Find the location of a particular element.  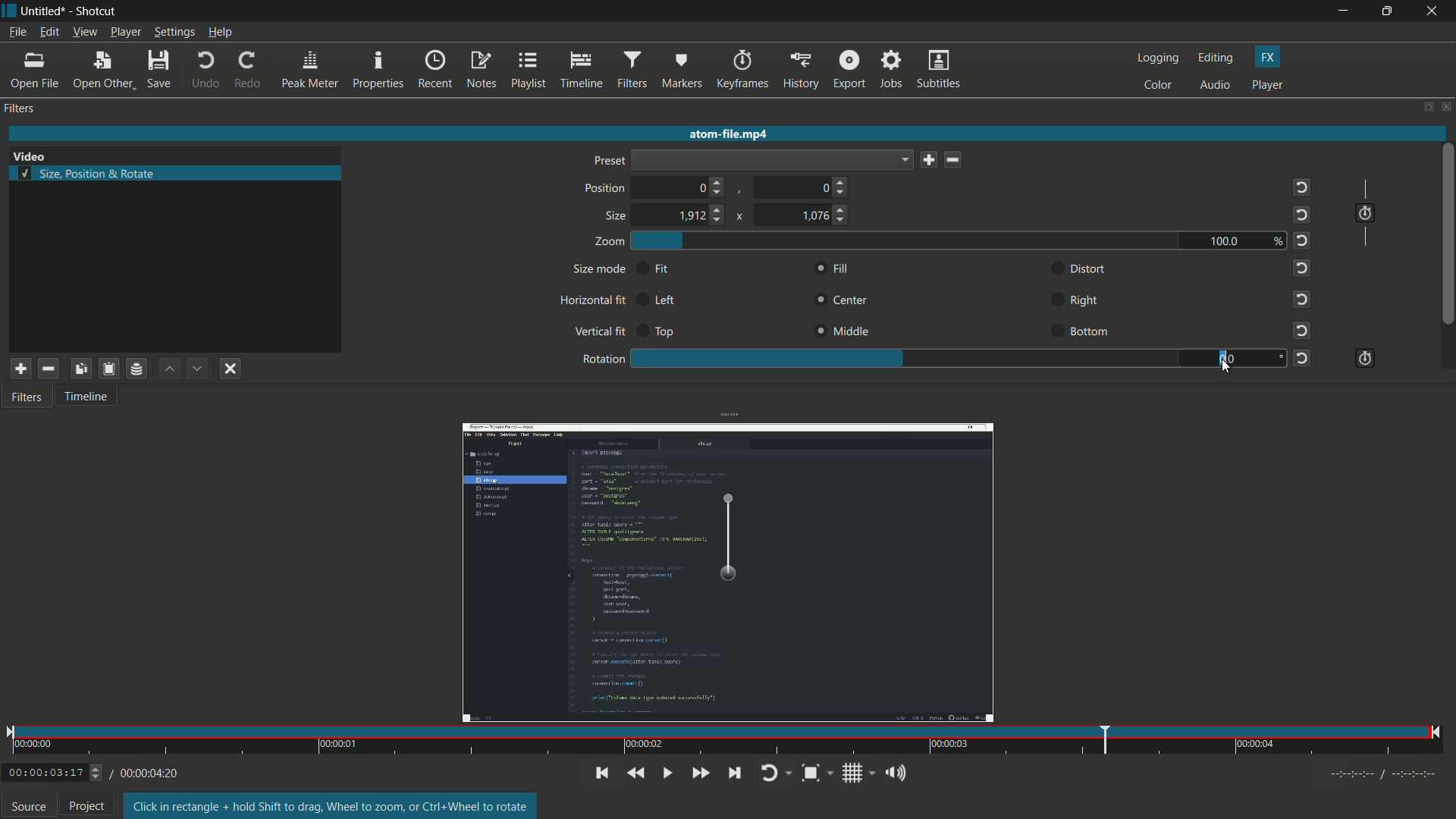

timecodes is located at coordinates (1385, 776).